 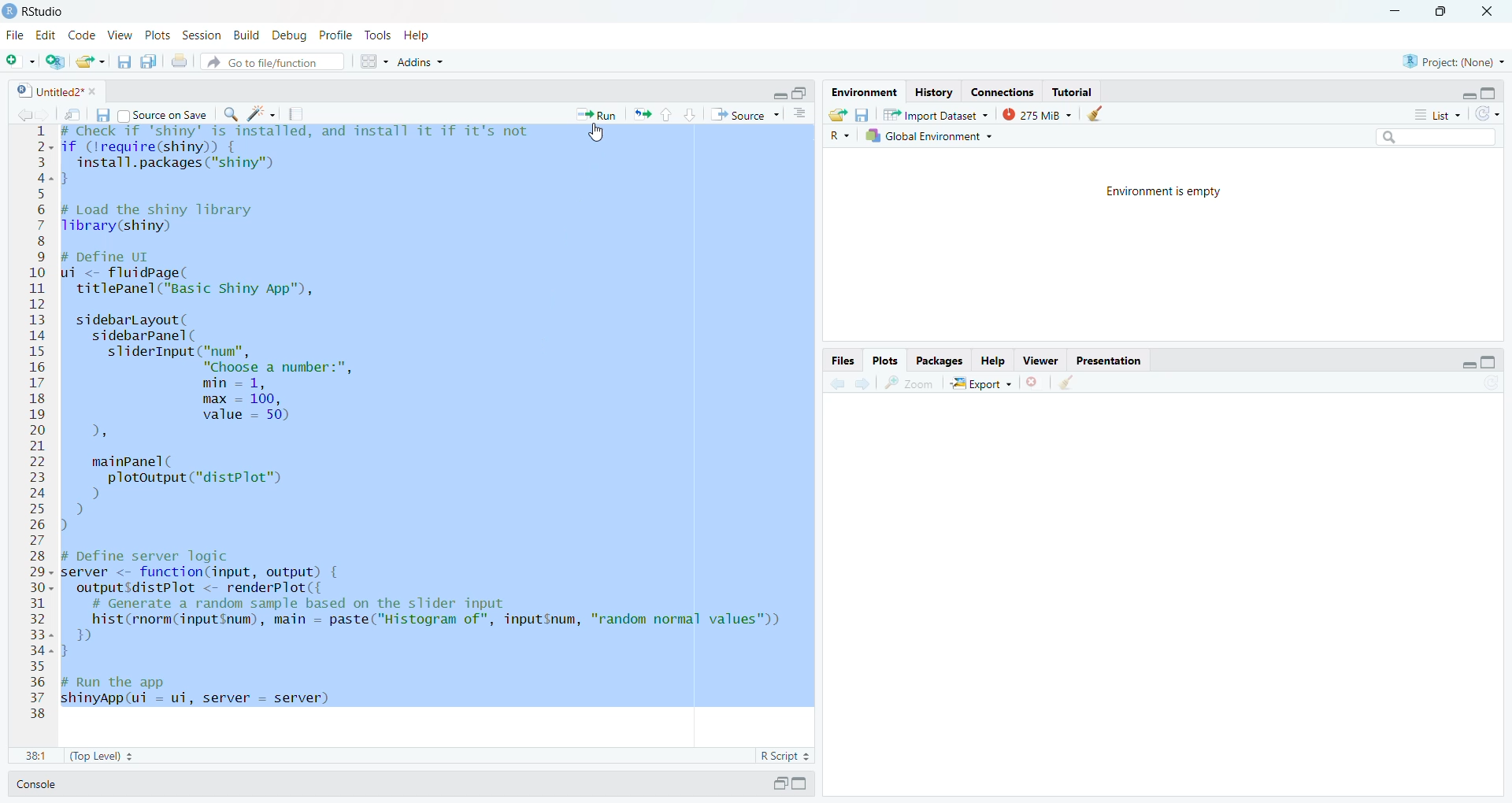 What do you see at coordinates (745, 115) in the screenshot?
I see `source menu` at bounding box center [745, 115].